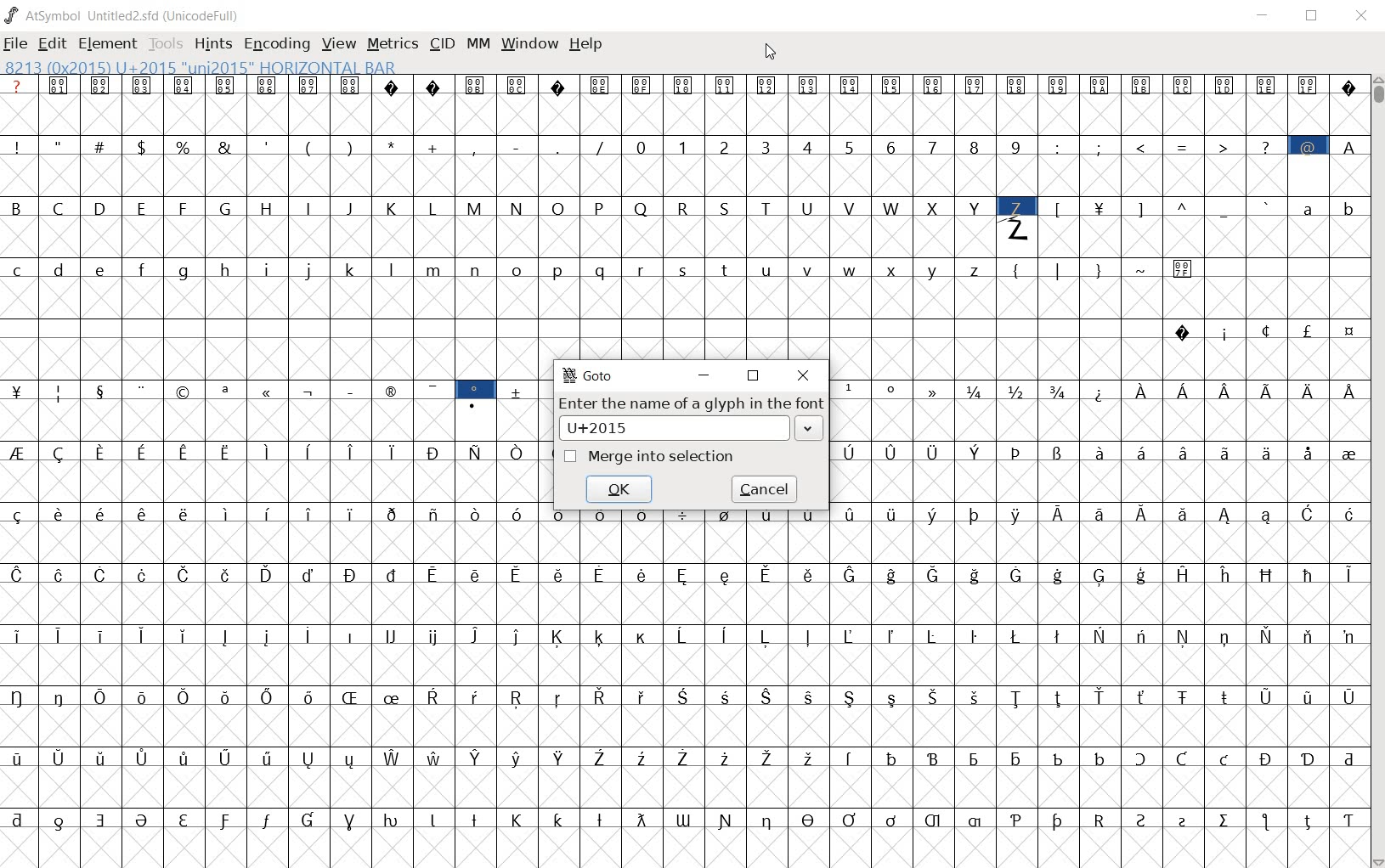 This screenshot has width=1385, height=868. I want to click on METRICS, so click(395, 45).